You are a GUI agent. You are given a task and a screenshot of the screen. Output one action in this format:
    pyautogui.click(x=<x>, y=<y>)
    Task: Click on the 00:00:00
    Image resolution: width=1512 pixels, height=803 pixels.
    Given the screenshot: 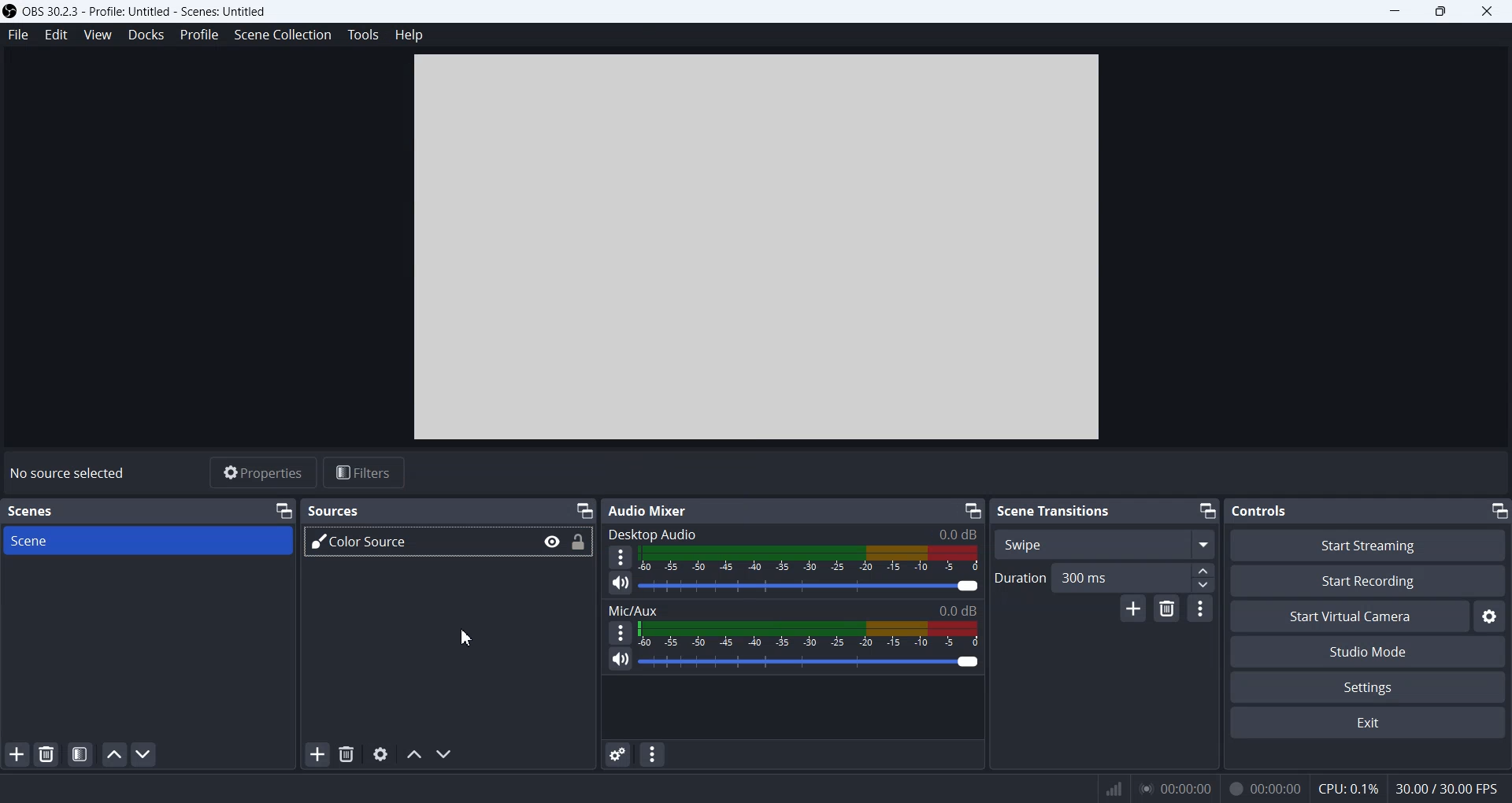 What is the action you would take?
    pyautogui.click(x=1173, y=787)
    